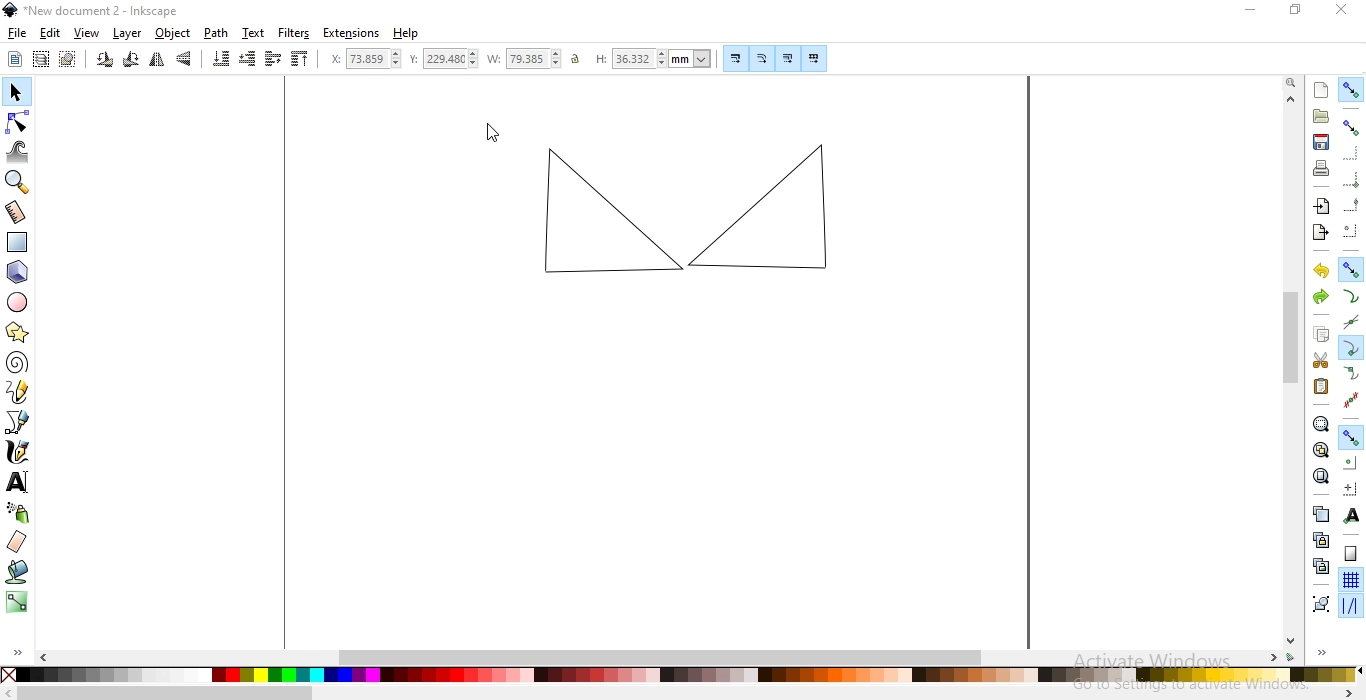 This screenshot has width=1366, height=700. Describe the element at coordinates (1340, 14) in the screenshot. I see `close` at that location.